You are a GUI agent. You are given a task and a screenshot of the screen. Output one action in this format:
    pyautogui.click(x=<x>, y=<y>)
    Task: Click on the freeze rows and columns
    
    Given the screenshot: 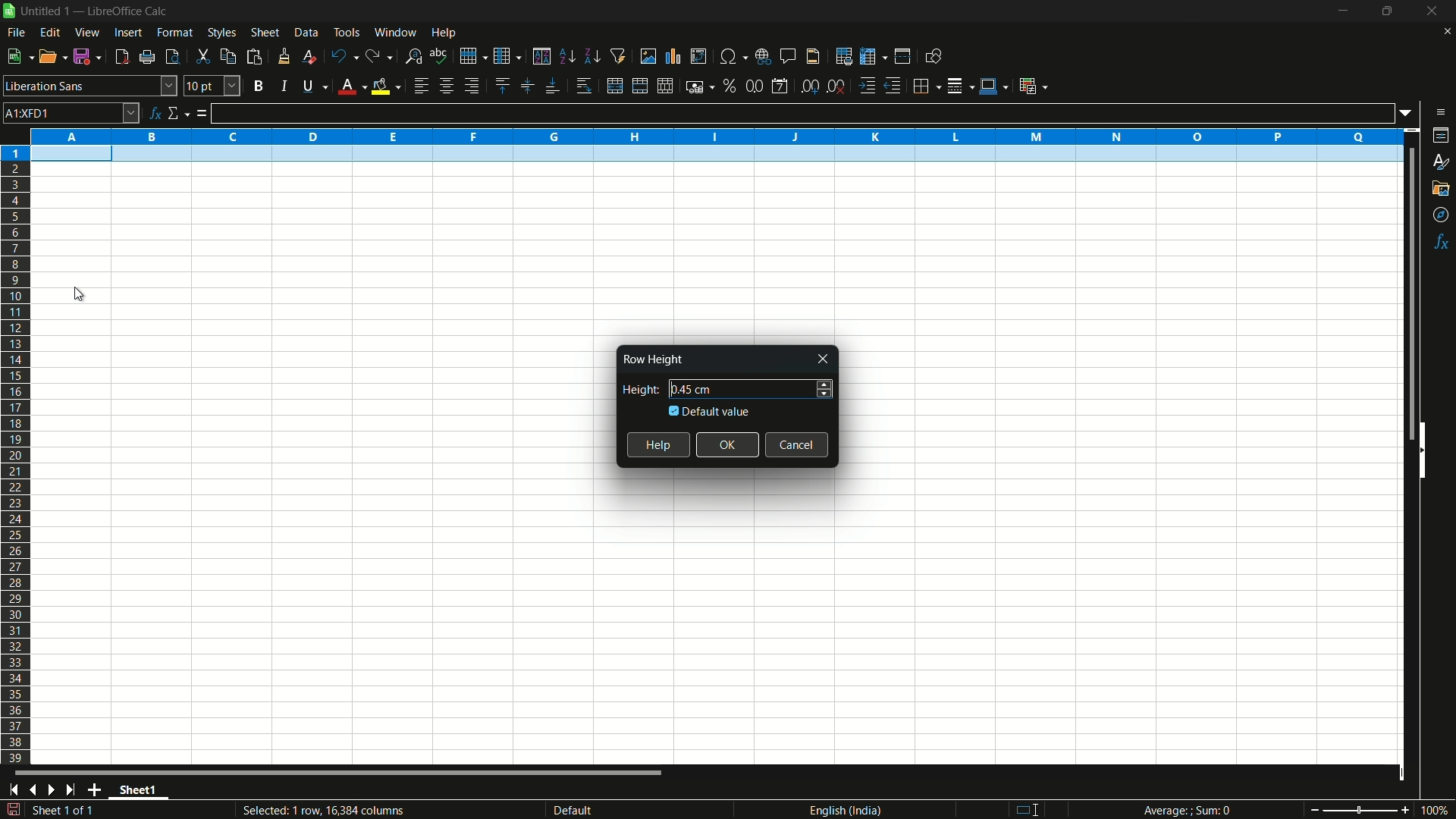 What is the action you would take?
    pyautogui.click(x=872, y=57)
    